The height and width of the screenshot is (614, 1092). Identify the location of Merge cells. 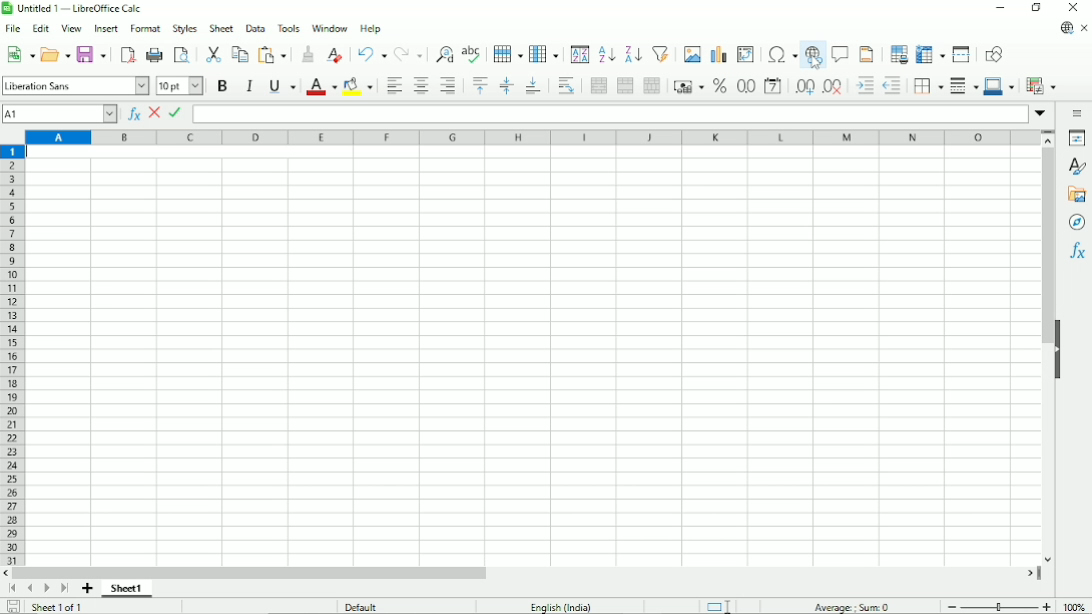
(626, 86).